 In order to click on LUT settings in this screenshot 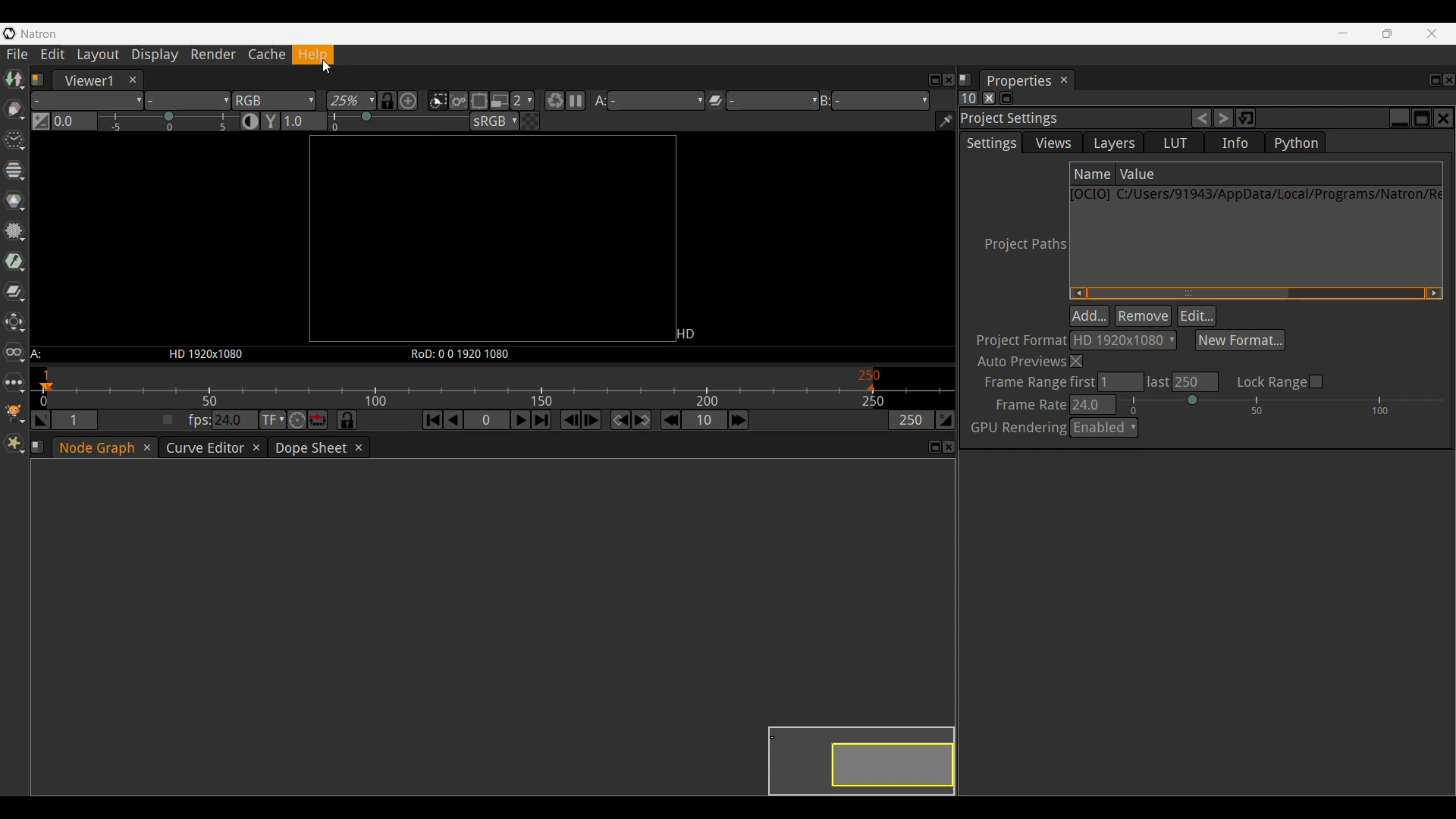, I will do `click(1174, 143)`.